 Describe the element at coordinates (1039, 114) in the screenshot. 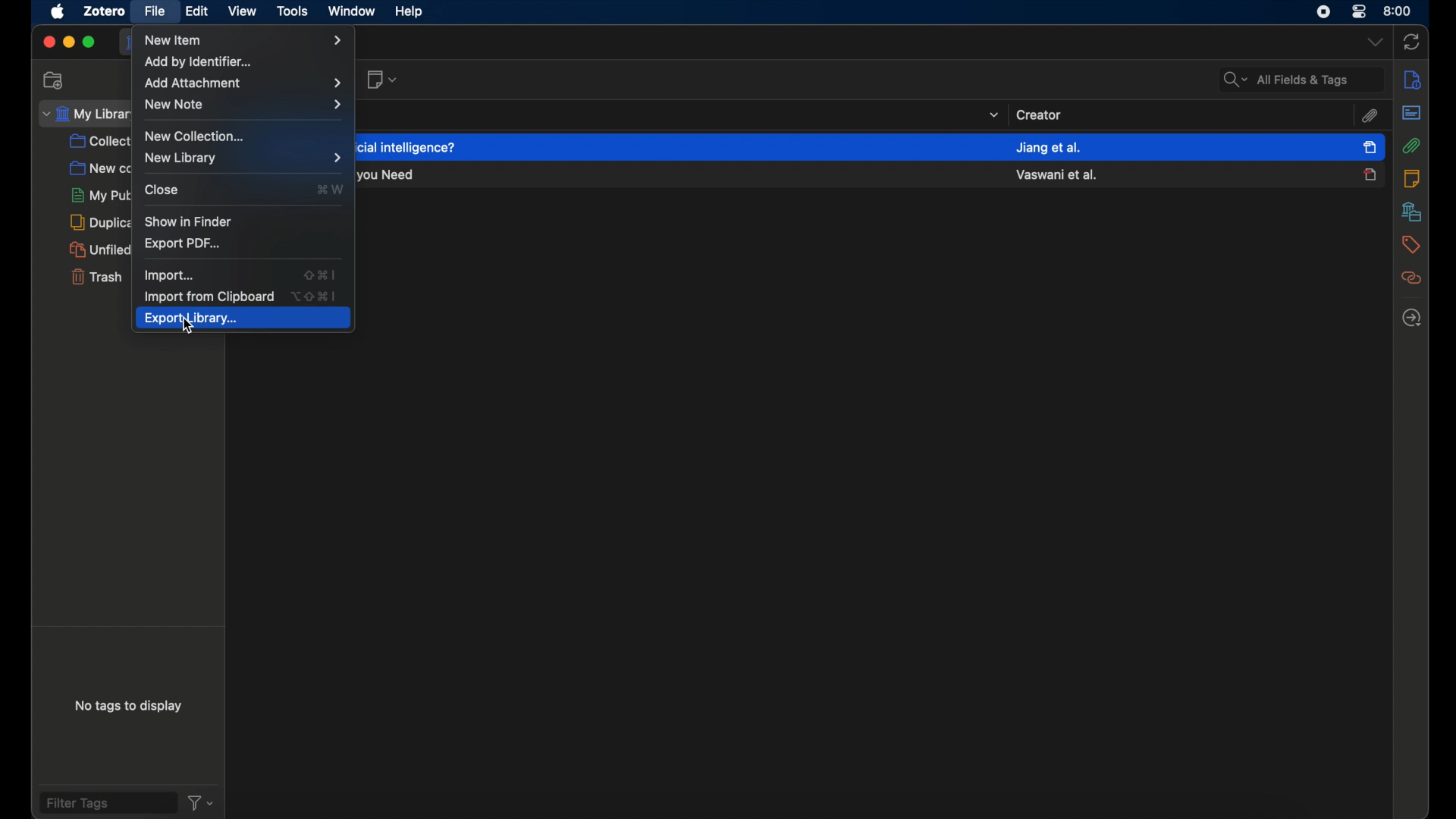

I see `creator` at that location.